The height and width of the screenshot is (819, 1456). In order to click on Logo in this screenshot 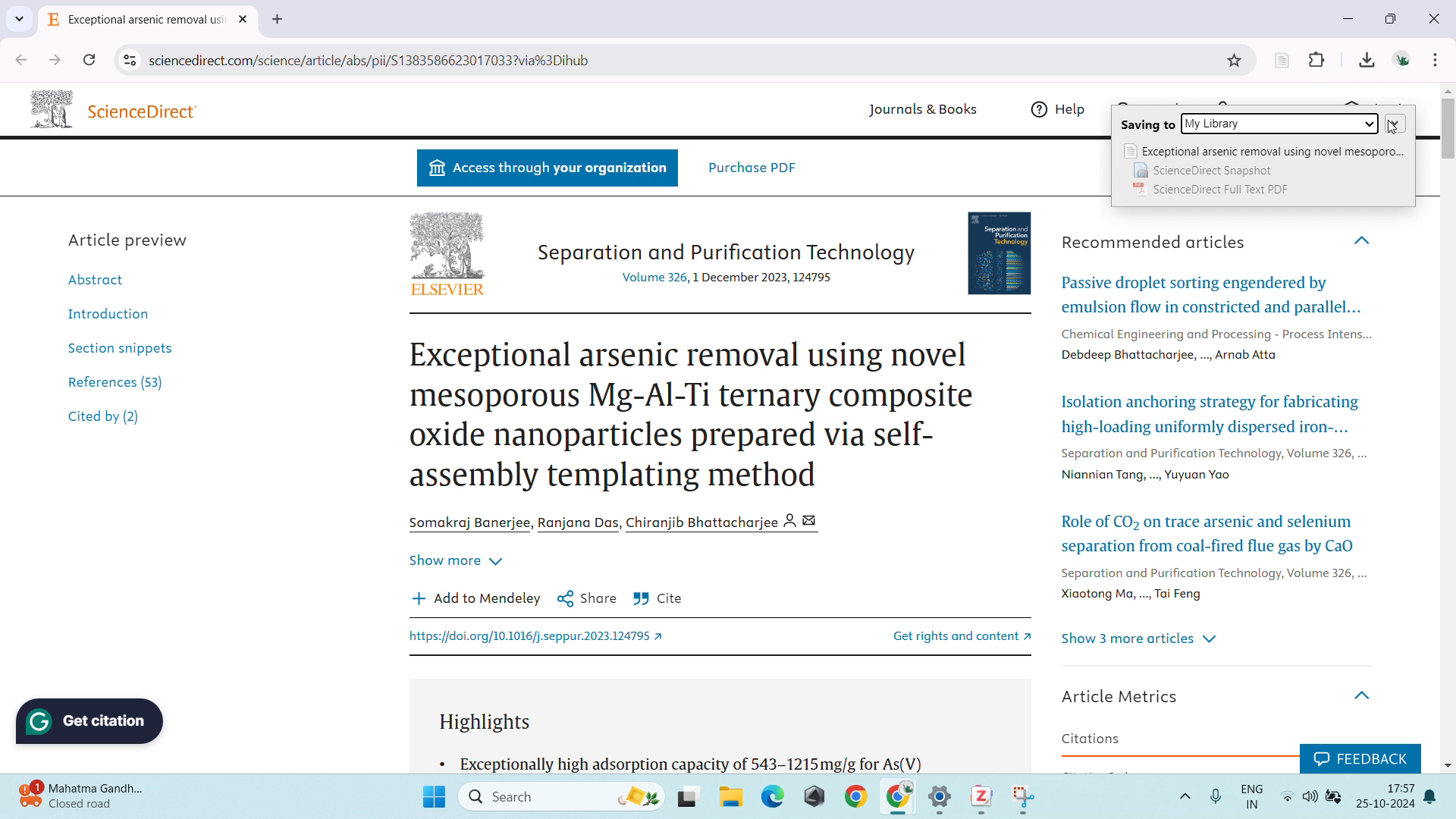, I will do `click(447, 244)`.